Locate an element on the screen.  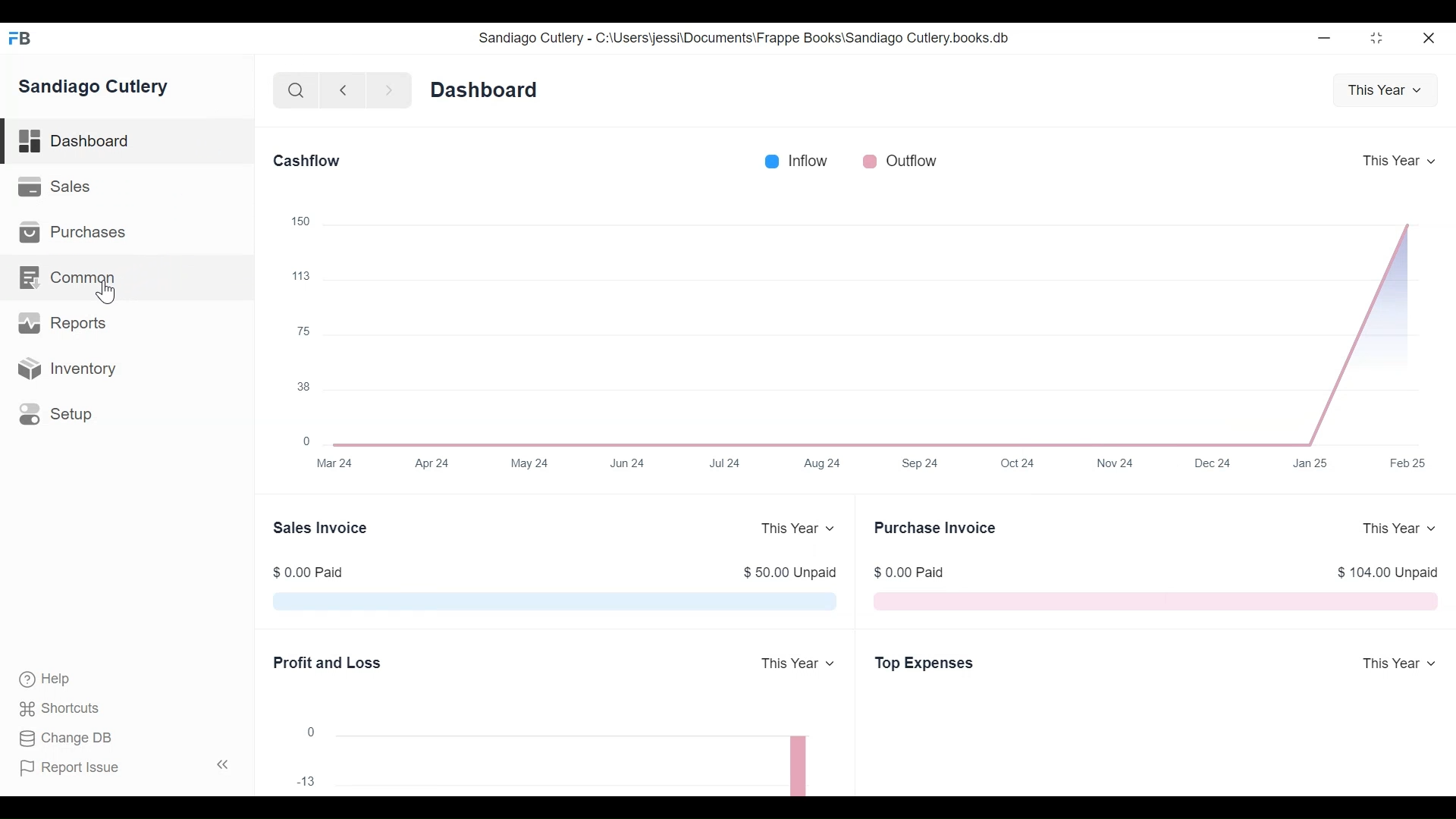
Navigate Forward is located at coordinates (390, 89).